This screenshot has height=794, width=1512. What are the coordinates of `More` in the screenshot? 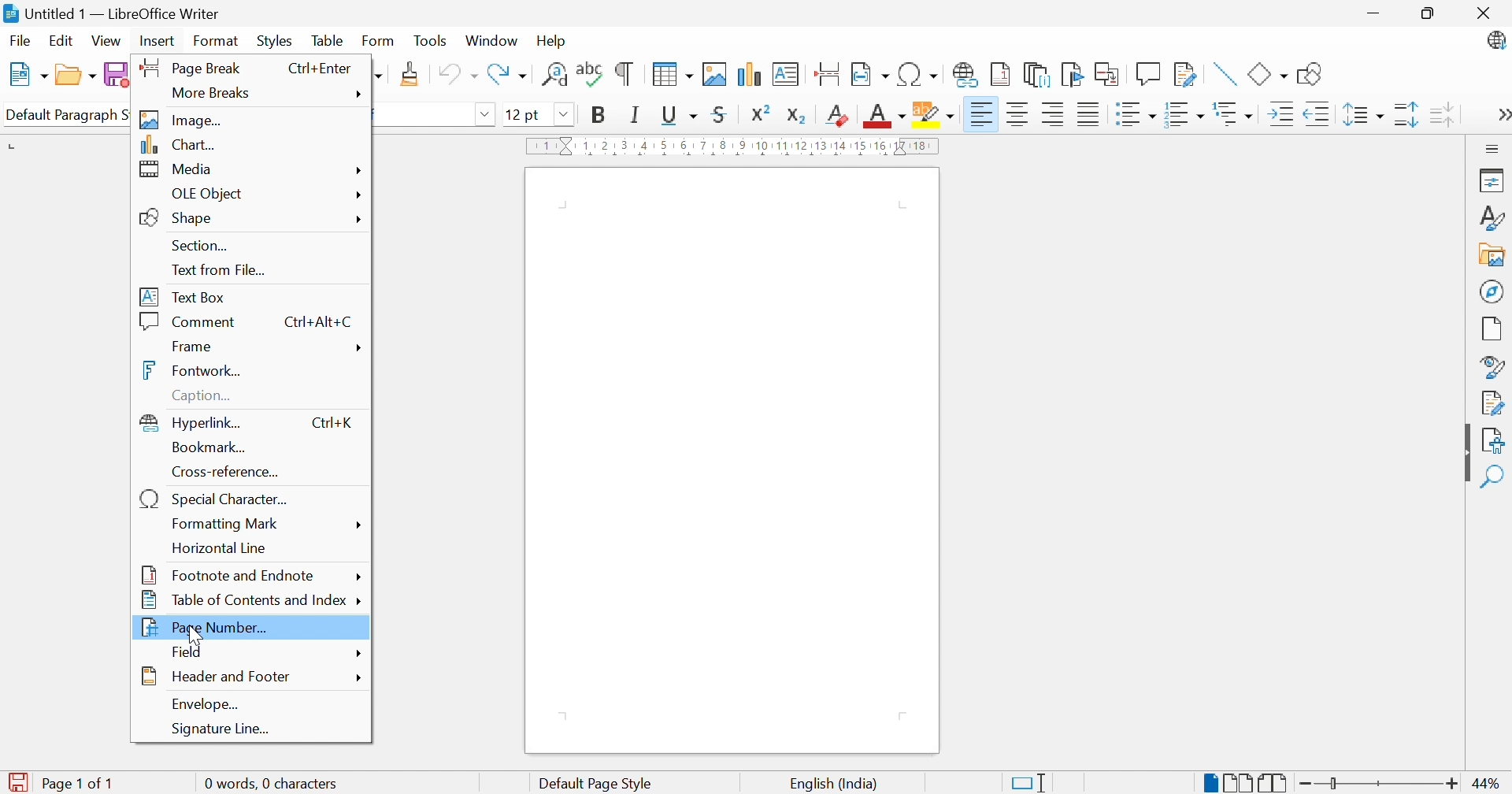 It's located at (364, 169).